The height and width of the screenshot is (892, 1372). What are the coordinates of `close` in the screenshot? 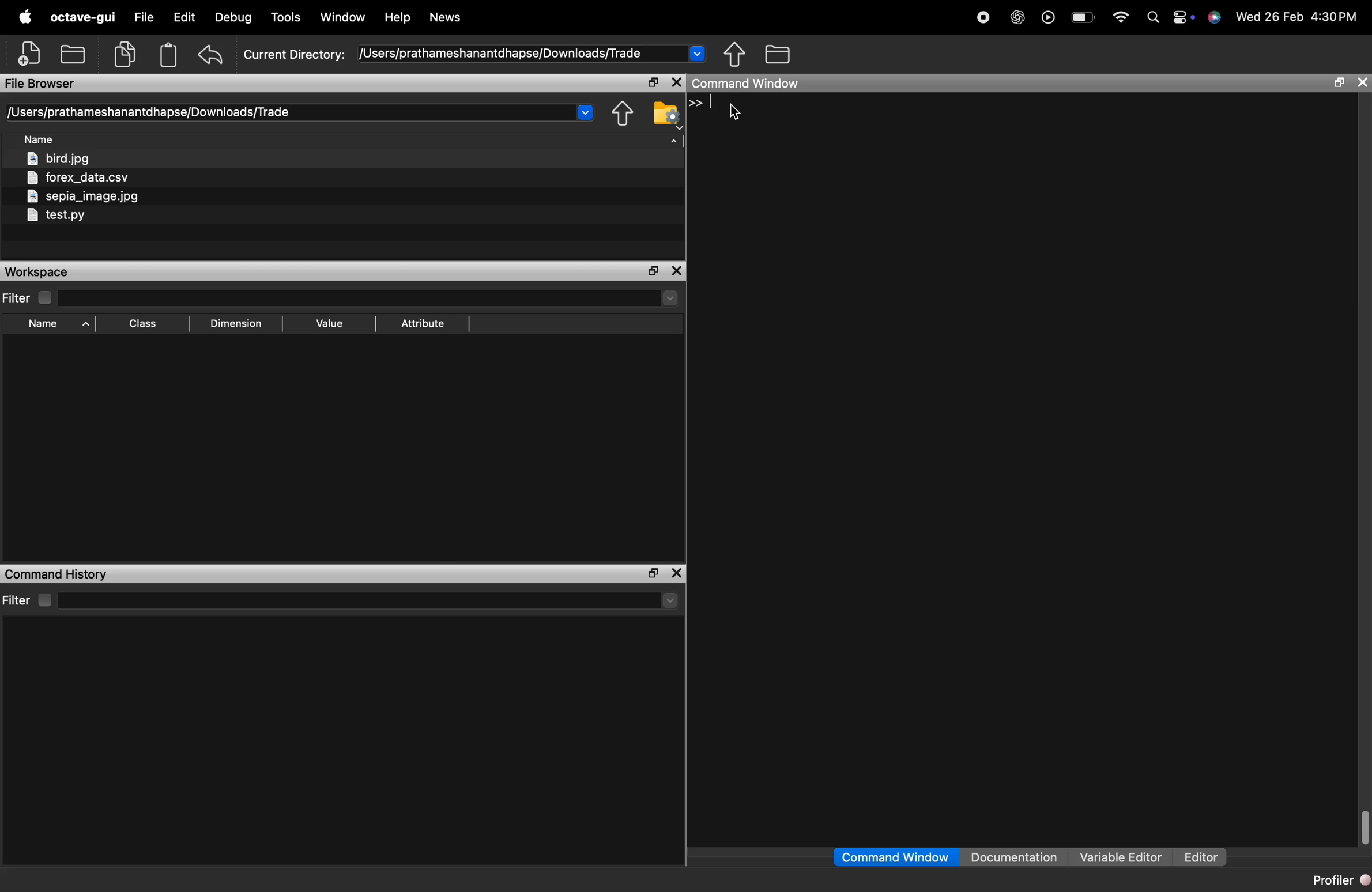 It's located at (1361, 82).